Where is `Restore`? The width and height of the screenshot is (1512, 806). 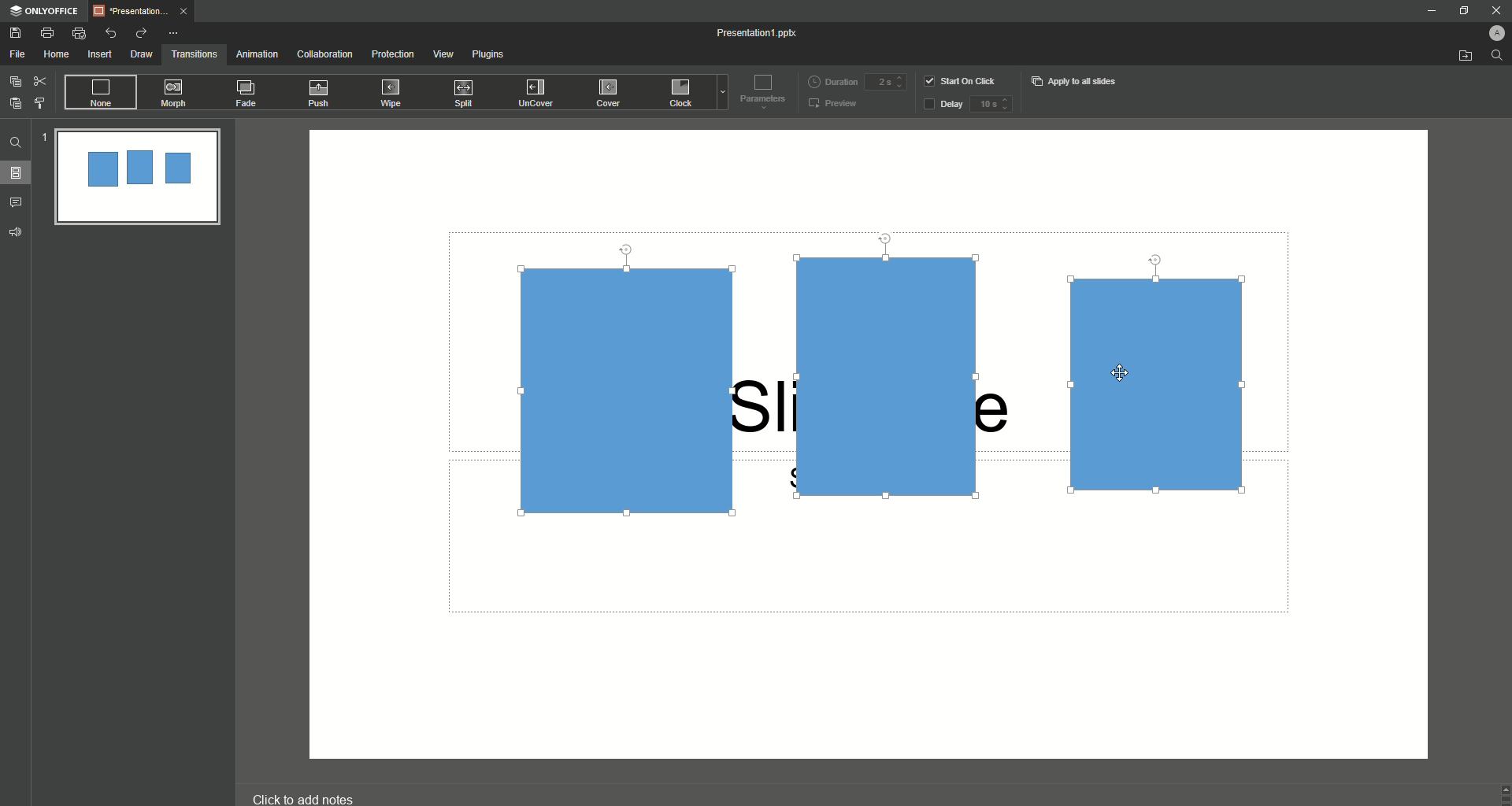 Restore is located at coordinates (1460, 11).